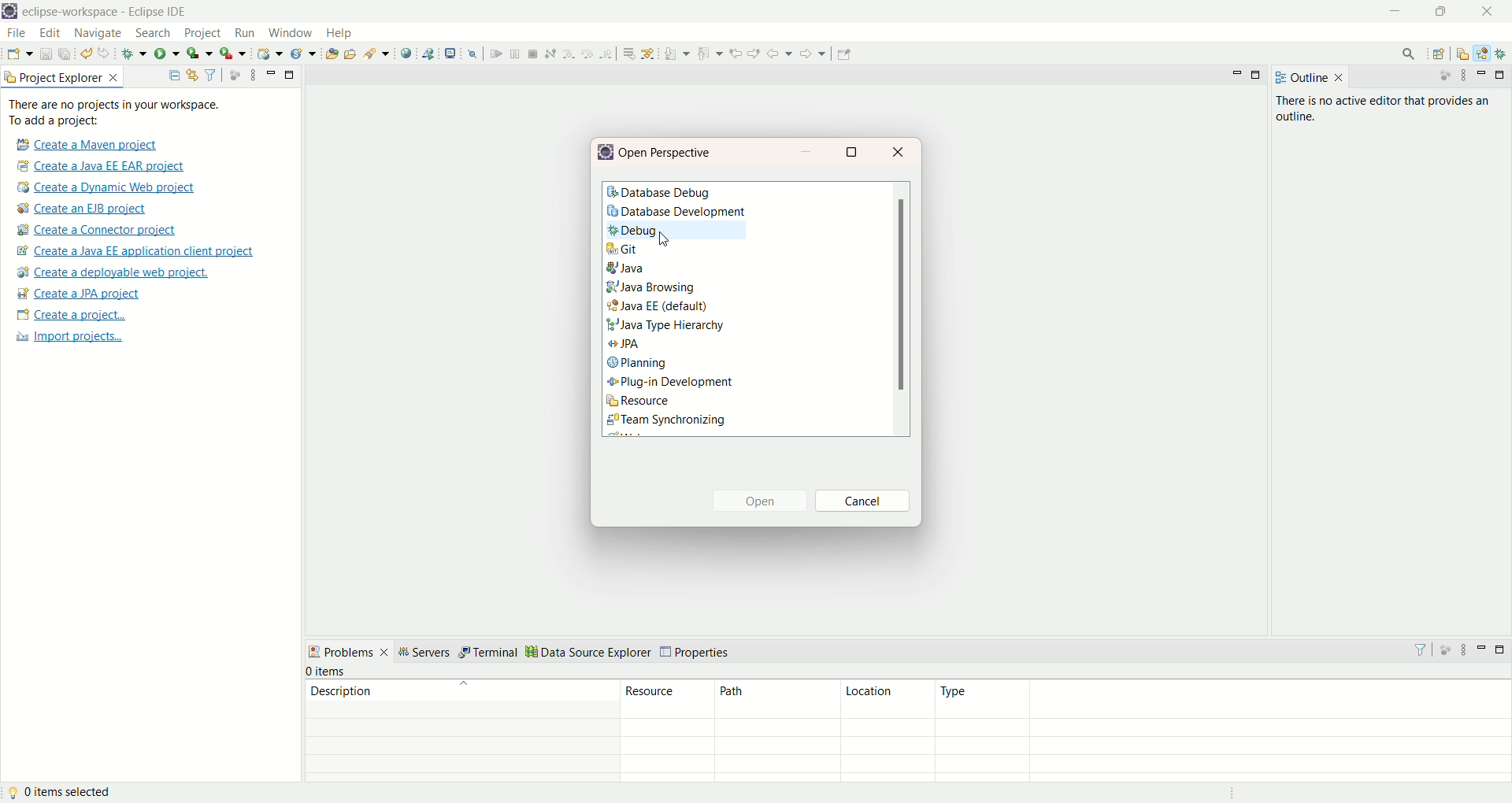  Describe the element at coordinates (639, 402) in the screenshot. I see `resource` at that location.